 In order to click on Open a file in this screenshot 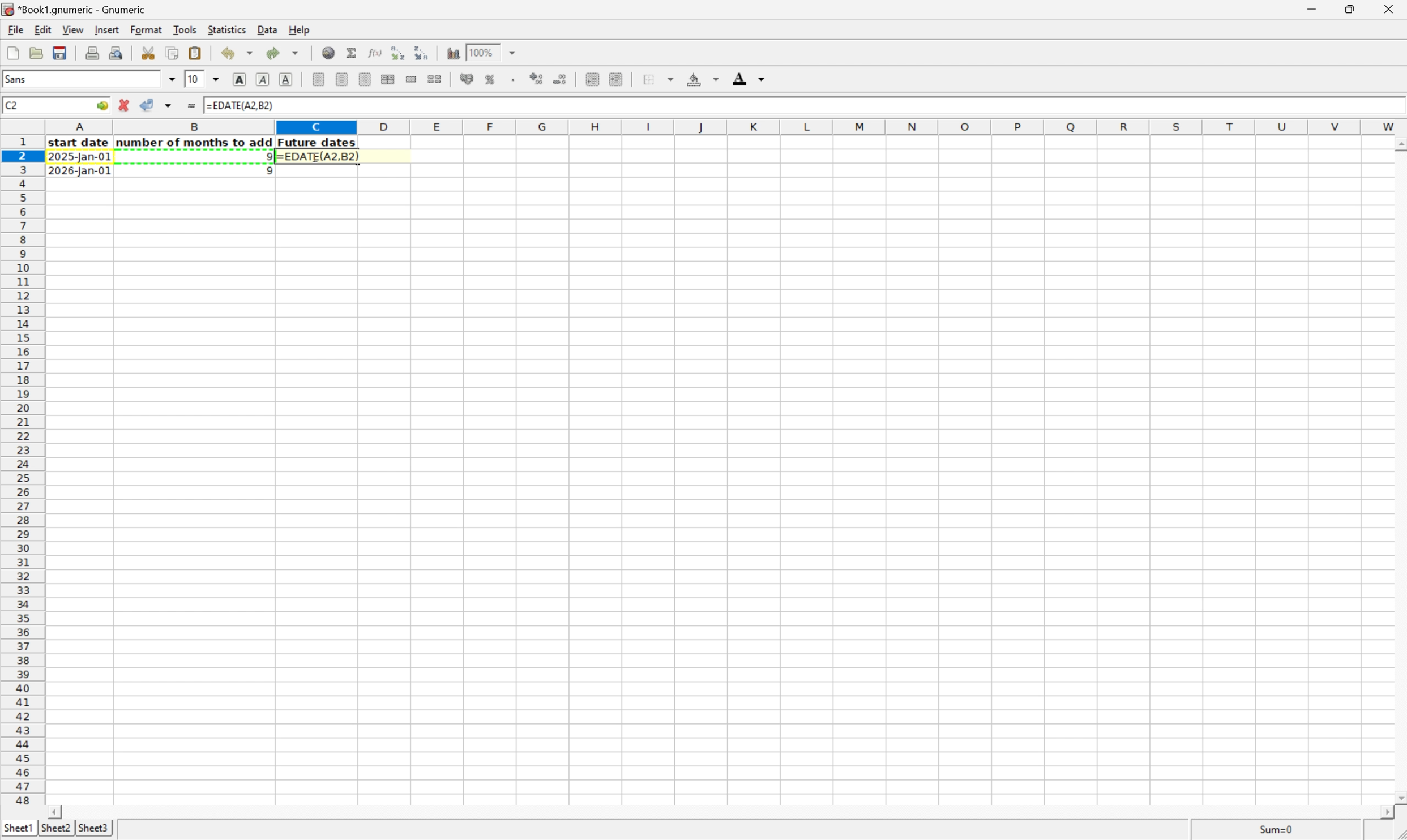, I will do `click(35, 53)`.